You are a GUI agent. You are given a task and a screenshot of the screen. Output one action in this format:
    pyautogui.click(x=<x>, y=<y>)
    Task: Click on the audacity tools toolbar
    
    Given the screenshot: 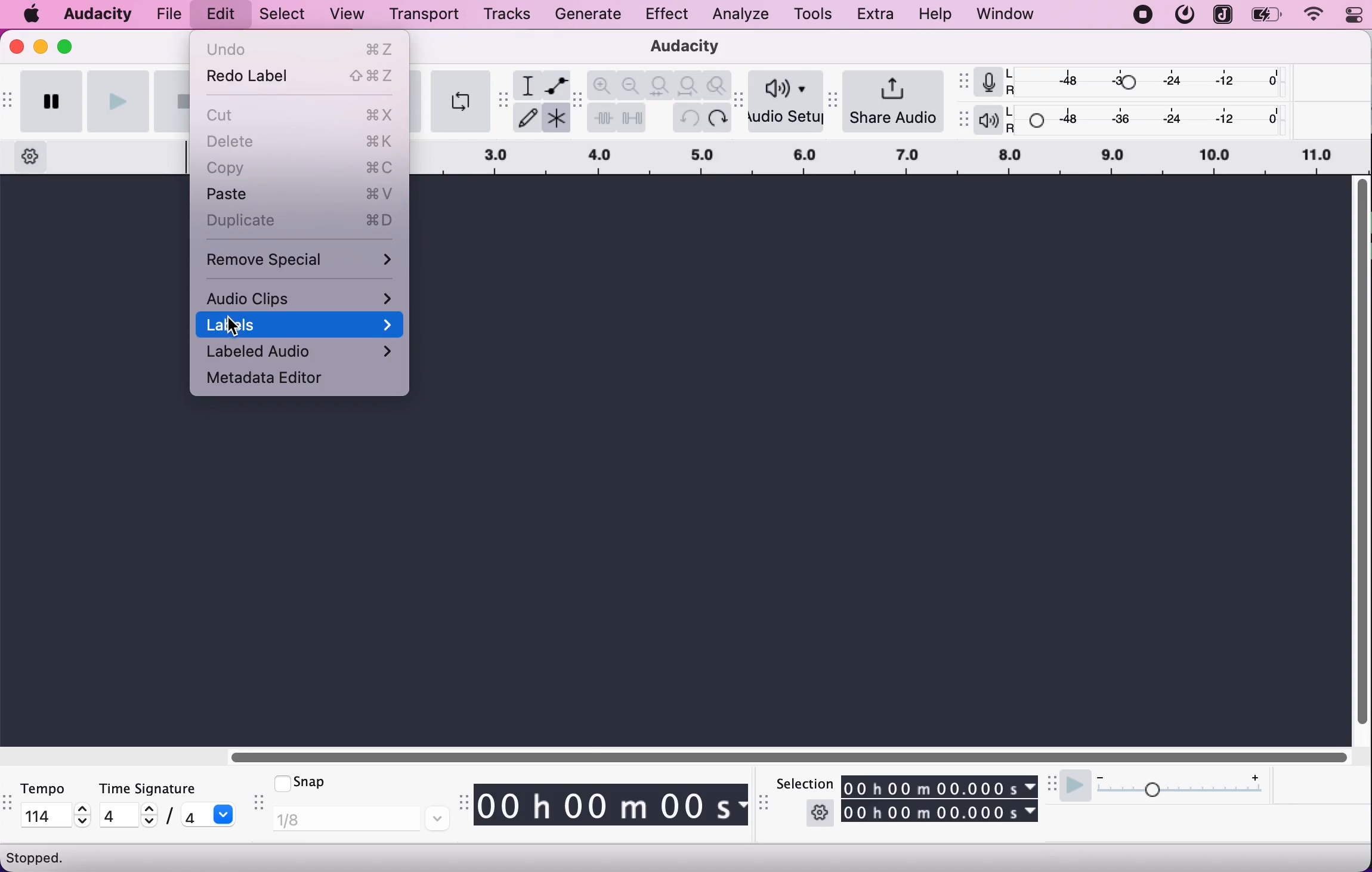 What is the action you would take?
    pyautogui.click(x=503, y=100)
    